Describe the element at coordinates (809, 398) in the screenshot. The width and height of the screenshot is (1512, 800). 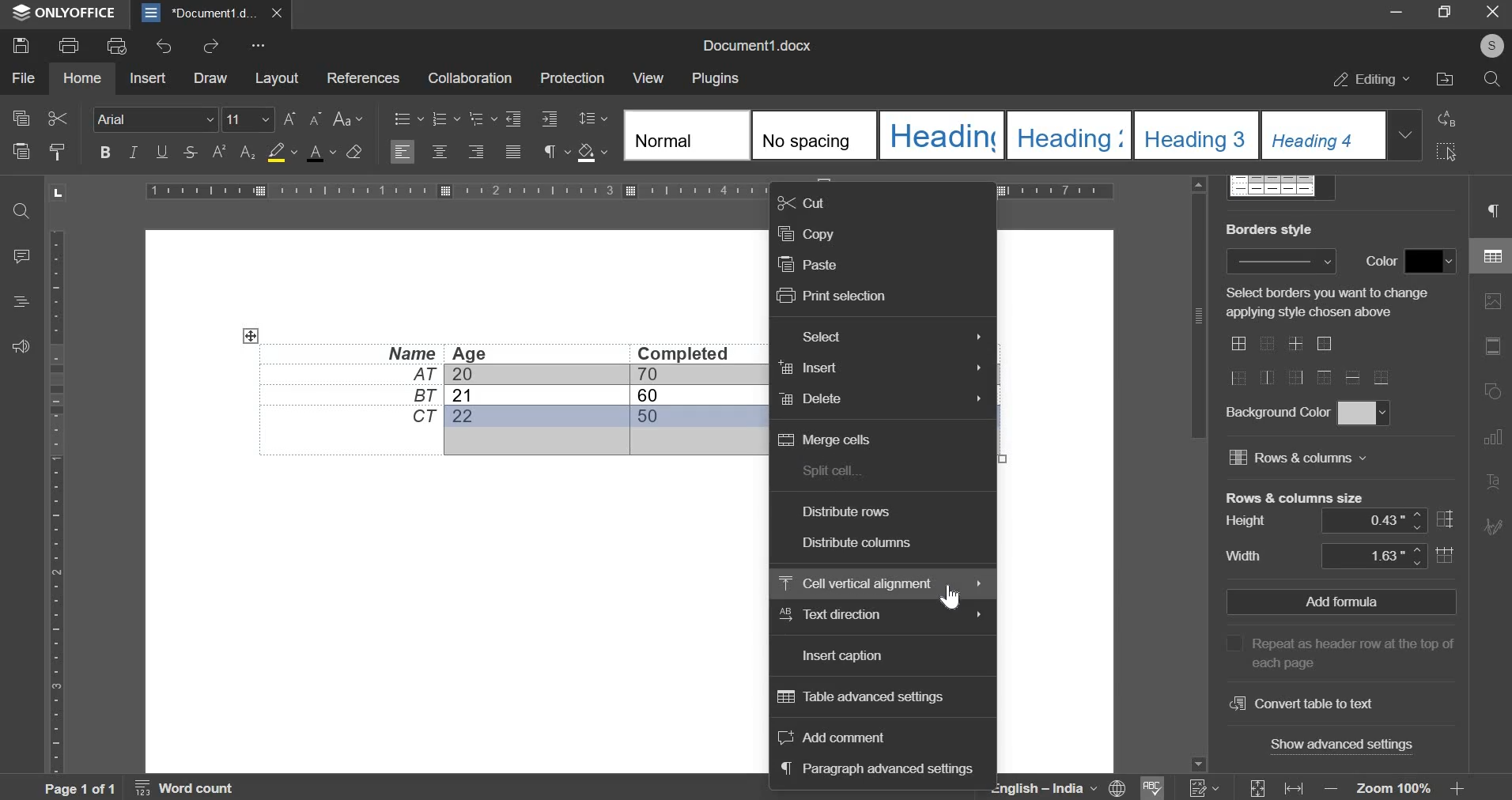
I see `delete` at that location.